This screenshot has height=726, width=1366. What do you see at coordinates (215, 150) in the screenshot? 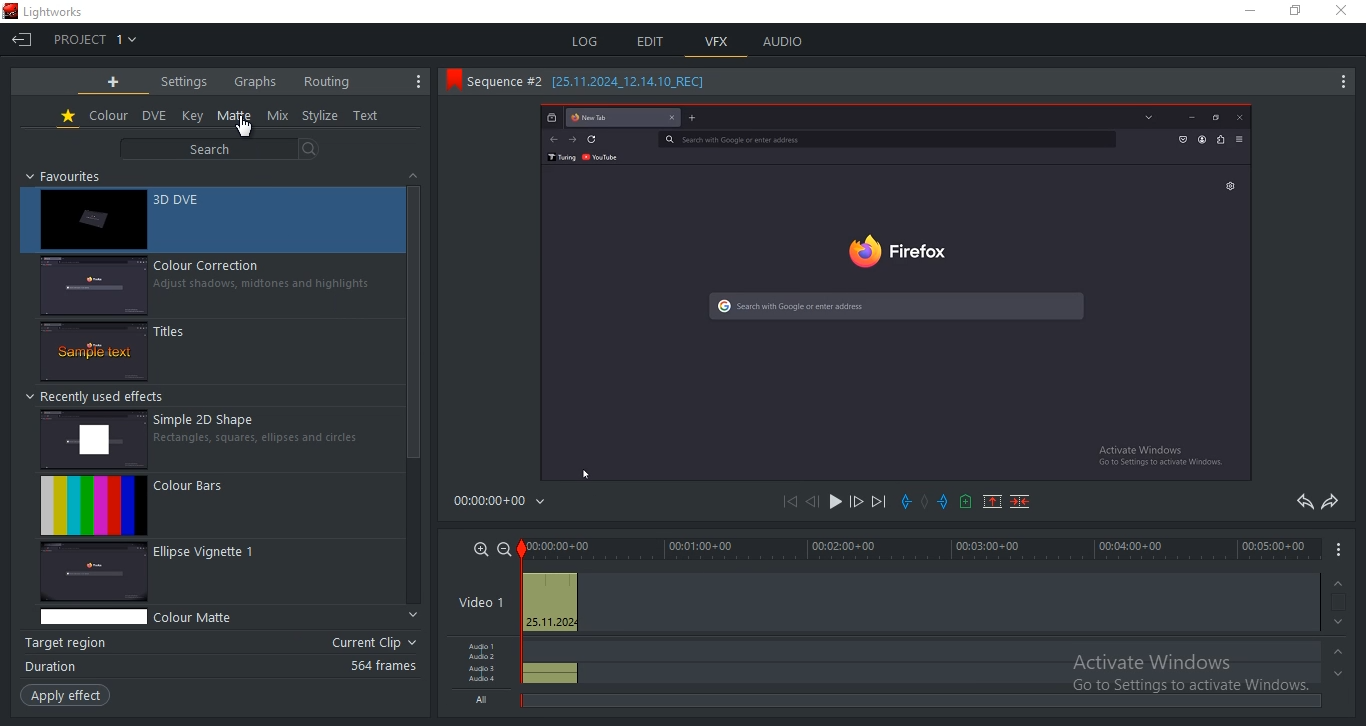
I see `search` at bounding box center [215, 150].